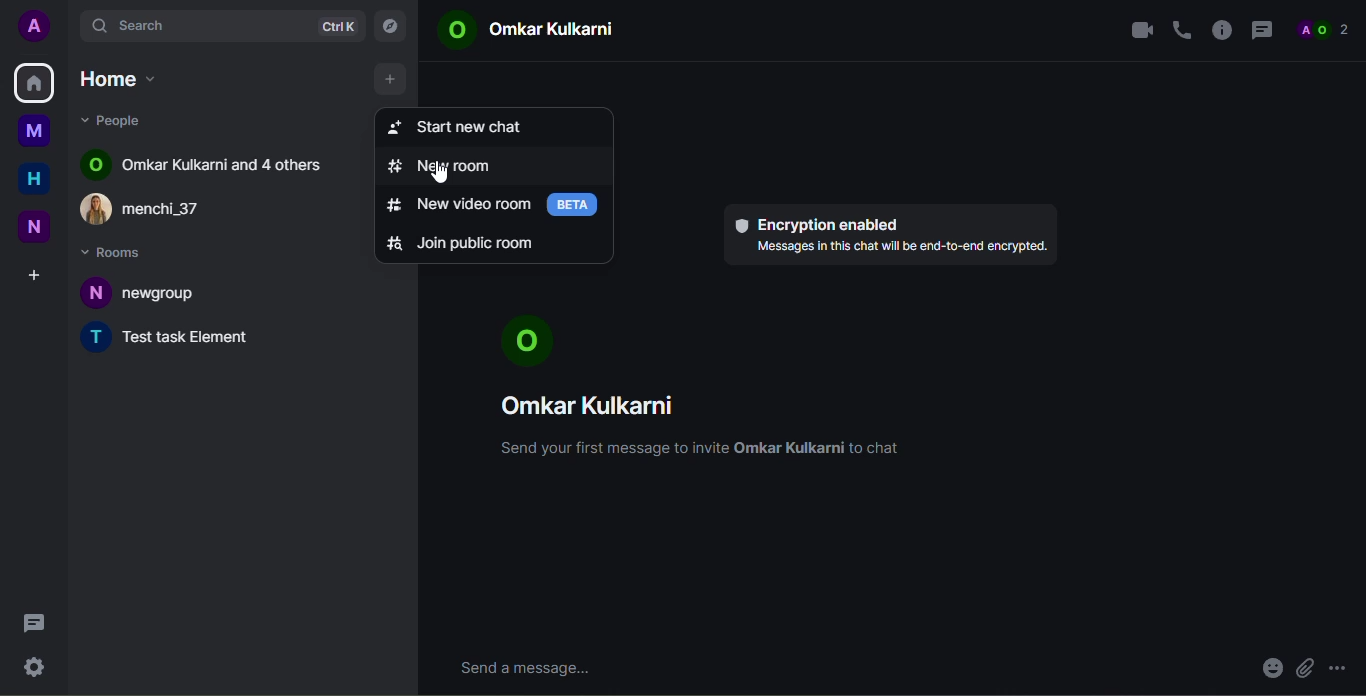 This screenshot has height=696, width=1366. Describe the element at coordinates (33, 276) in the screenshot. I see `create space` at that location.